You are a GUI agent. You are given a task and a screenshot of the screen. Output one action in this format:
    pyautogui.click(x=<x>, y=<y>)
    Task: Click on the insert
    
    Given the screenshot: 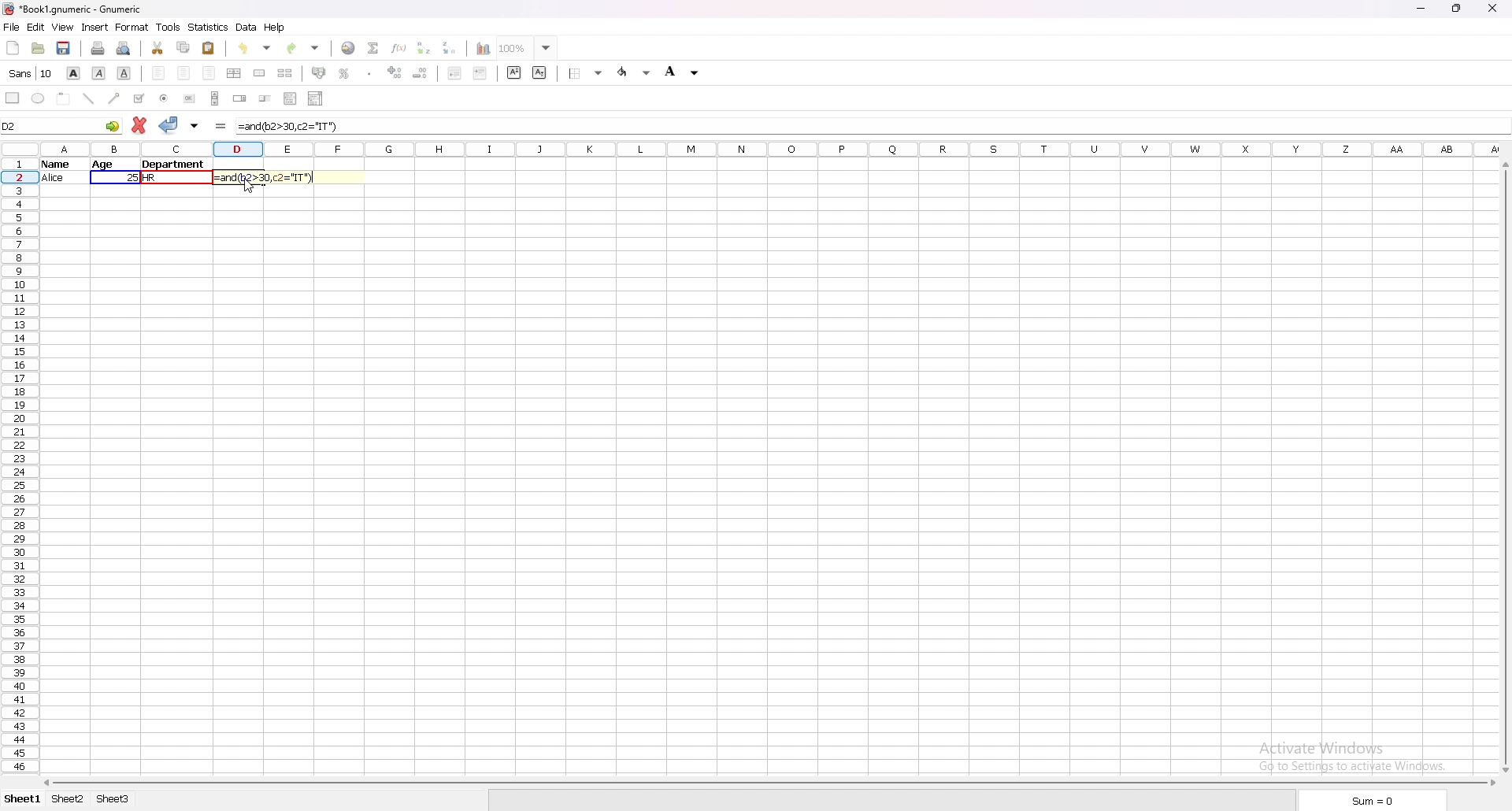 What is the action you would take?
    pyautogui.click(x=94, y=28)
    